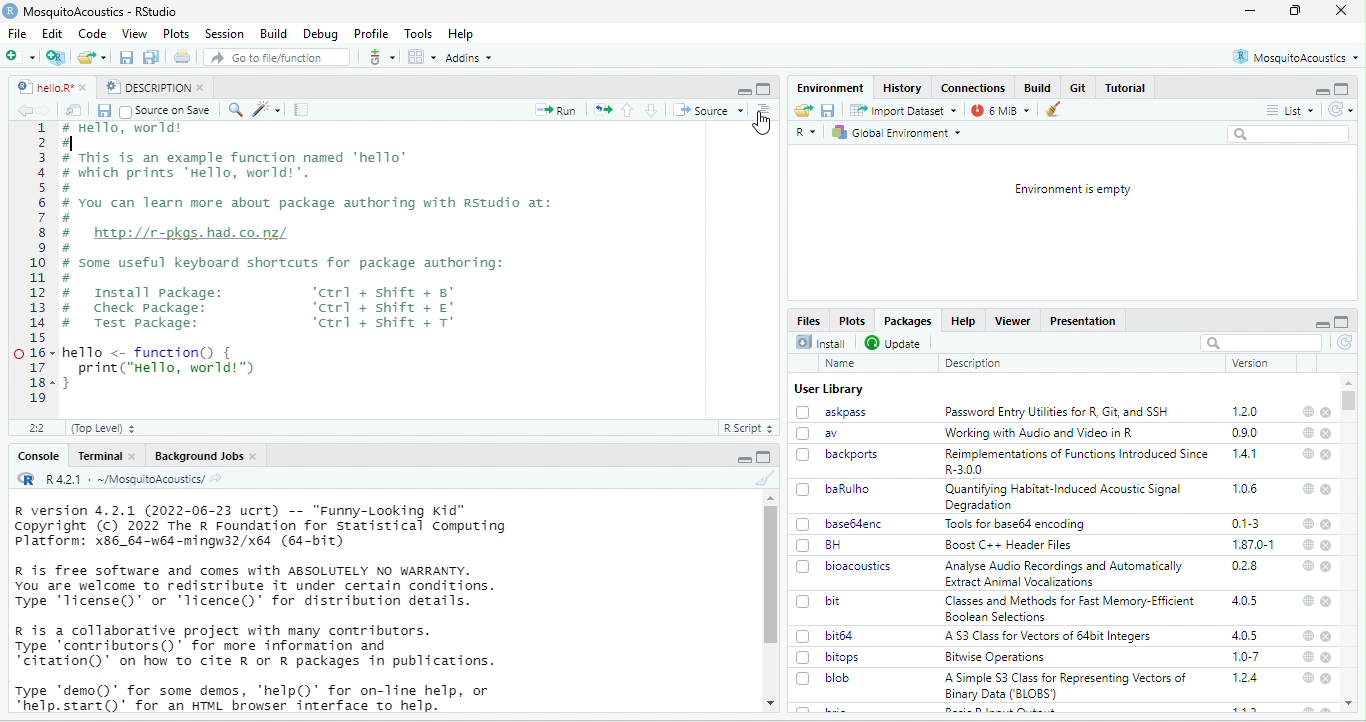 Image resolution: width=1366 pixels, height=722 pixels. Describe the element at coordinates (840, 363) in the screenshot. I see `Name` at that location.